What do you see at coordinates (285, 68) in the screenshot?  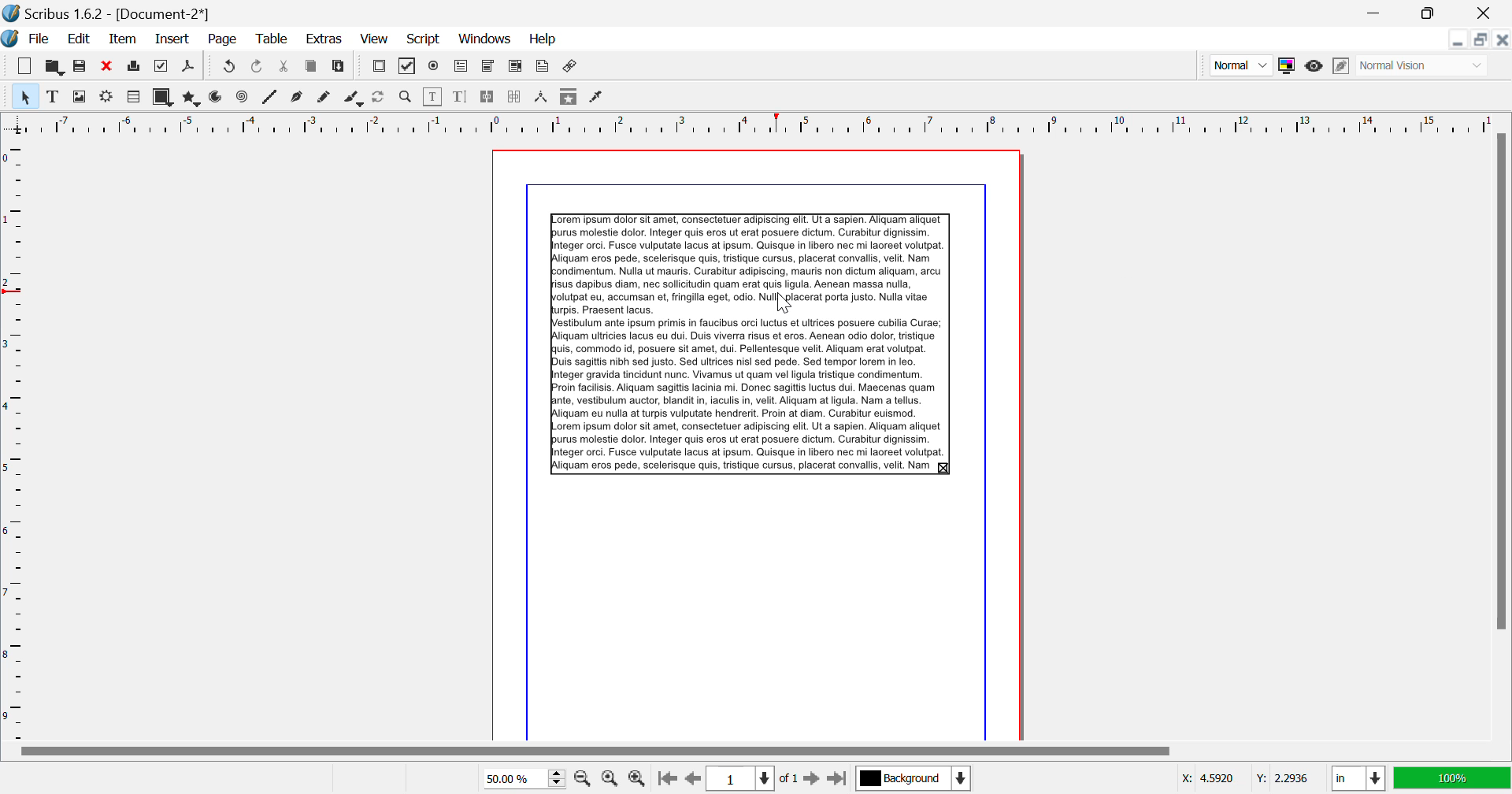 I see `Cut` at bounding box center [285, 68].